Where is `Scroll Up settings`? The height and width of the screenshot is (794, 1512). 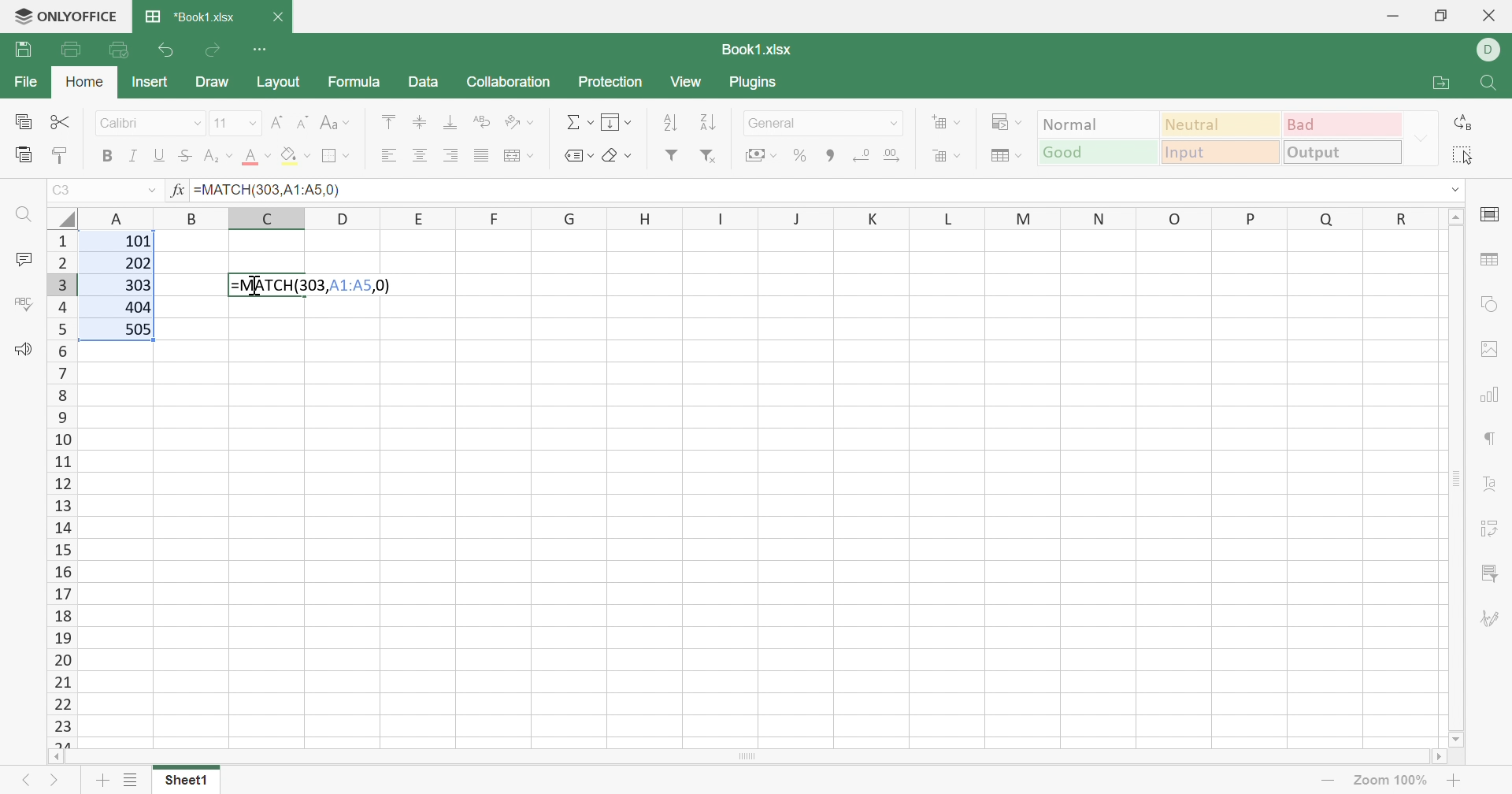 Scroll Up settings is located at coordinates (1456, 216).